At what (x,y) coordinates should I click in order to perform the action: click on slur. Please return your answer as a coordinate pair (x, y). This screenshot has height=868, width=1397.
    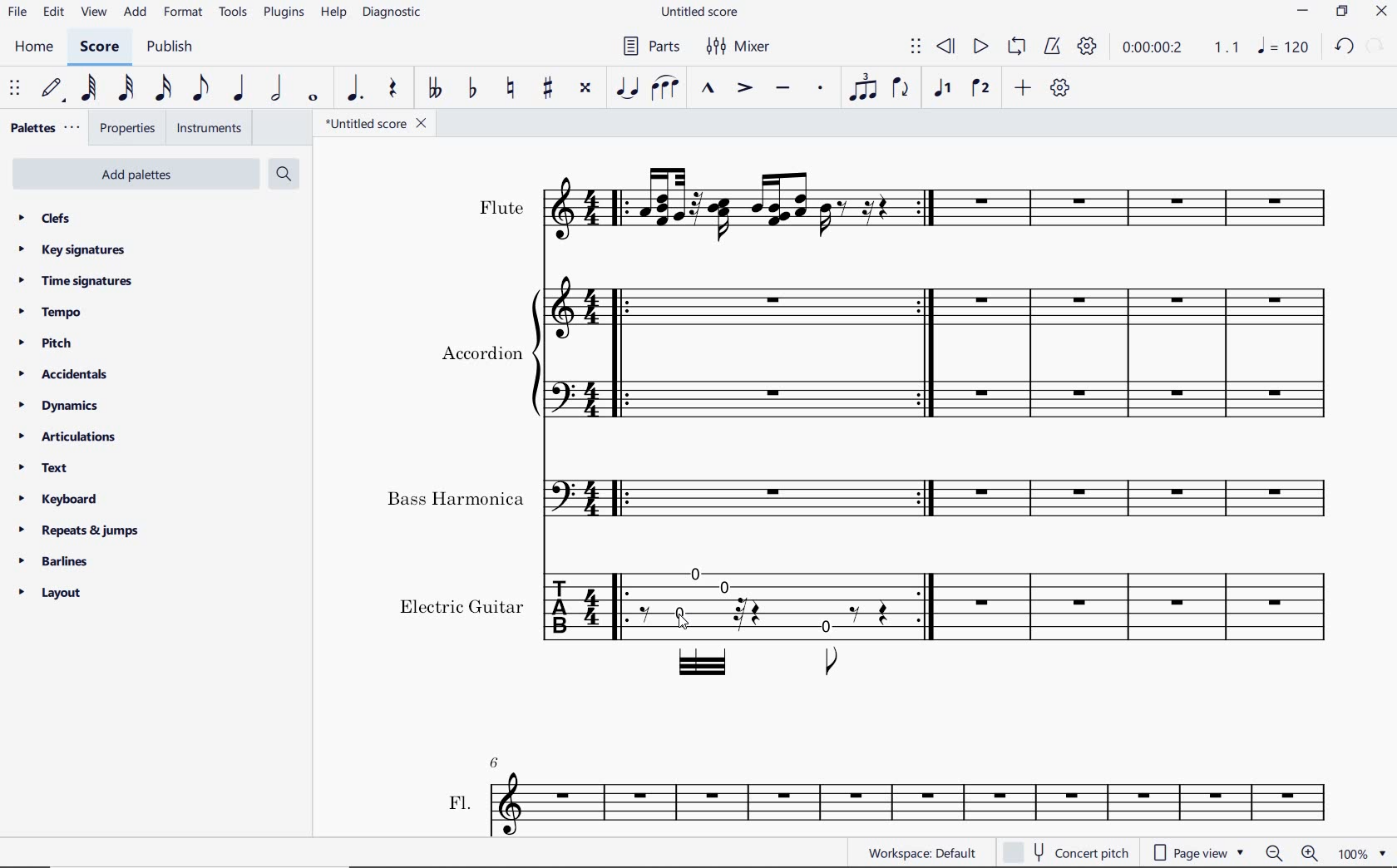
    Looking at the image, I should click on (667, 89).